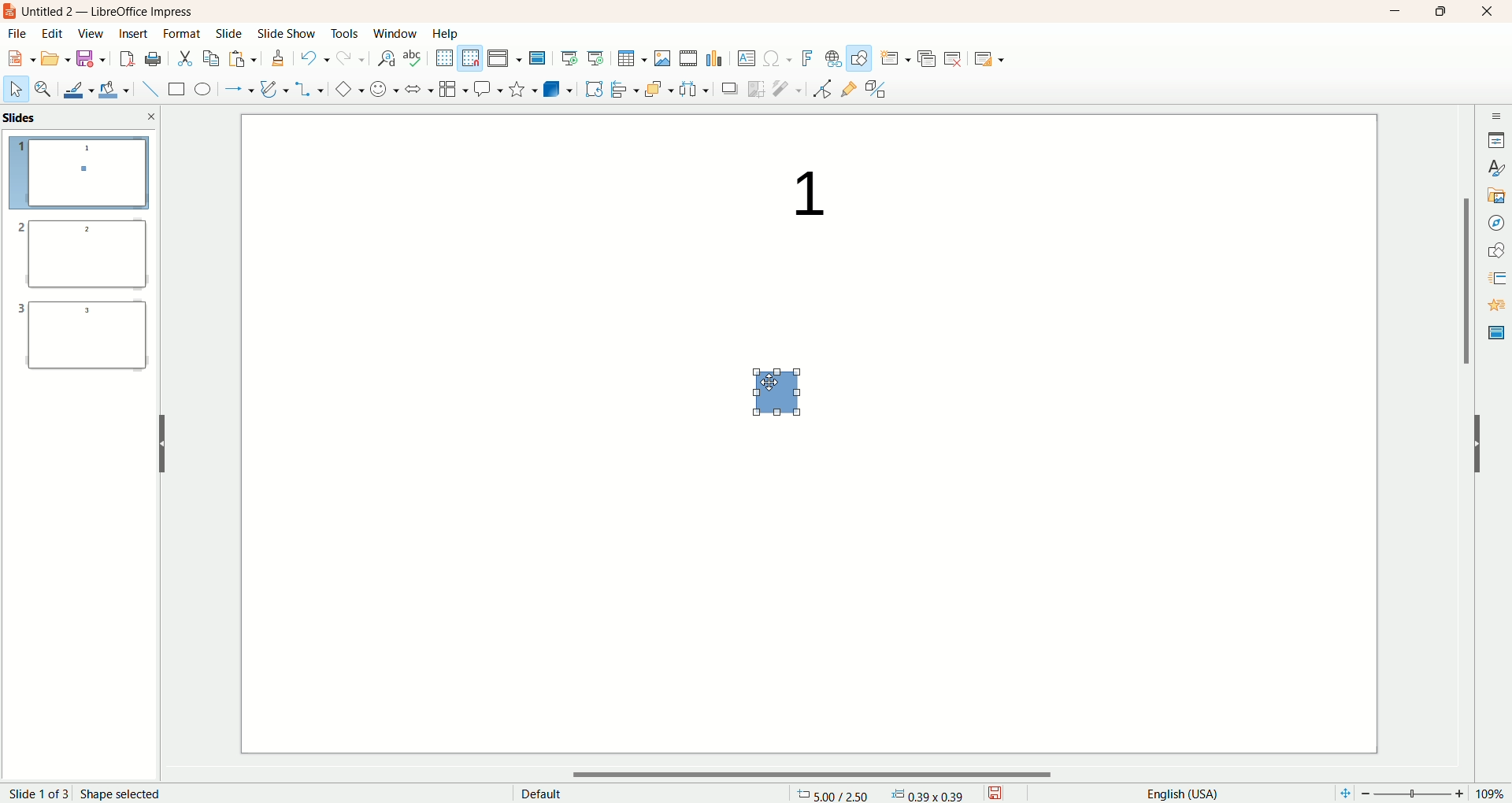 This screenshot has height=803, width=1512. I want to click on ellipse, so click(202, 91).